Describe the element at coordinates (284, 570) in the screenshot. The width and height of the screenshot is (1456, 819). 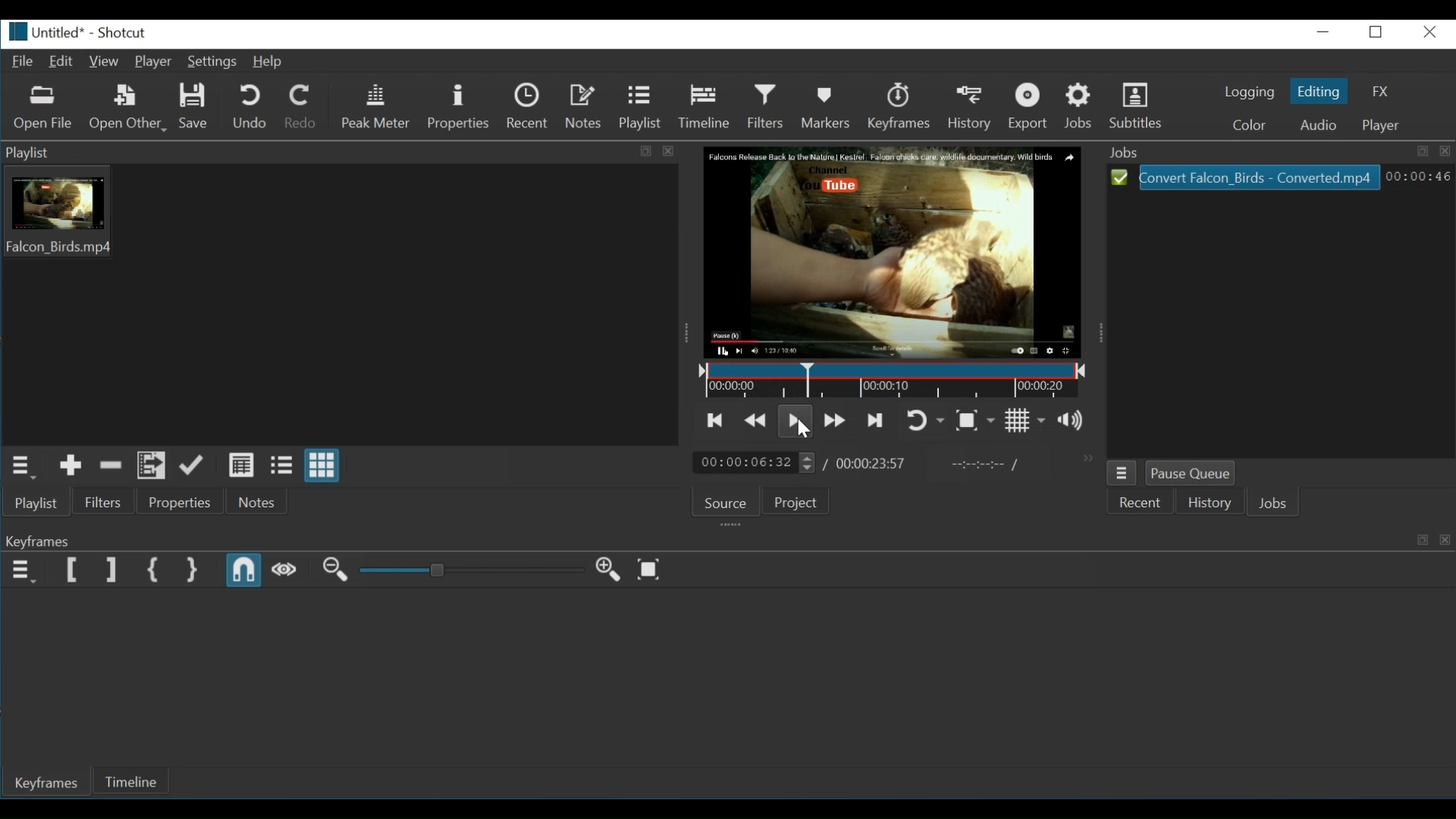
I see `Scrub while dragging` at that location.